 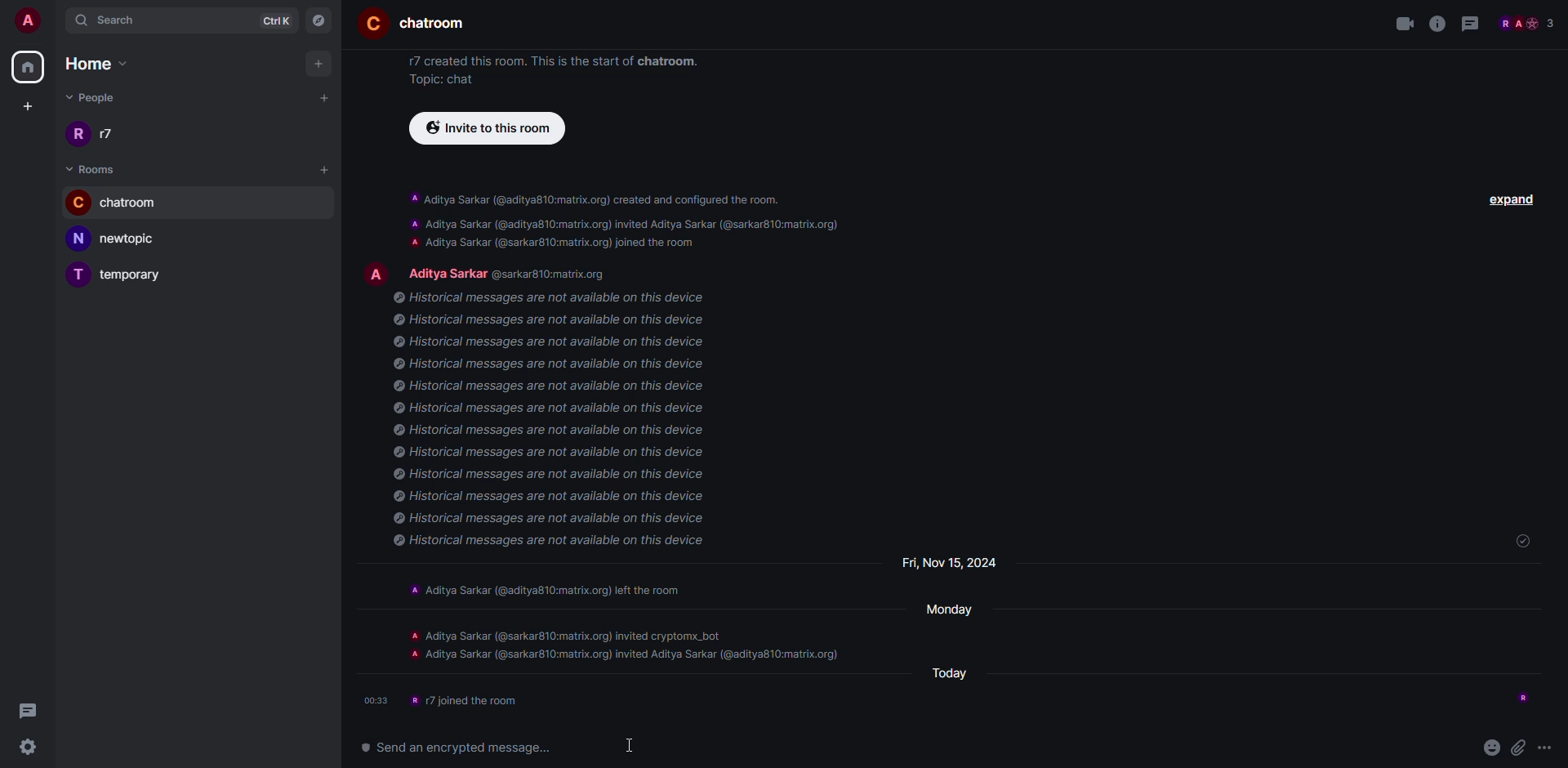 I want to click on bell, so click(x=325, y=201).